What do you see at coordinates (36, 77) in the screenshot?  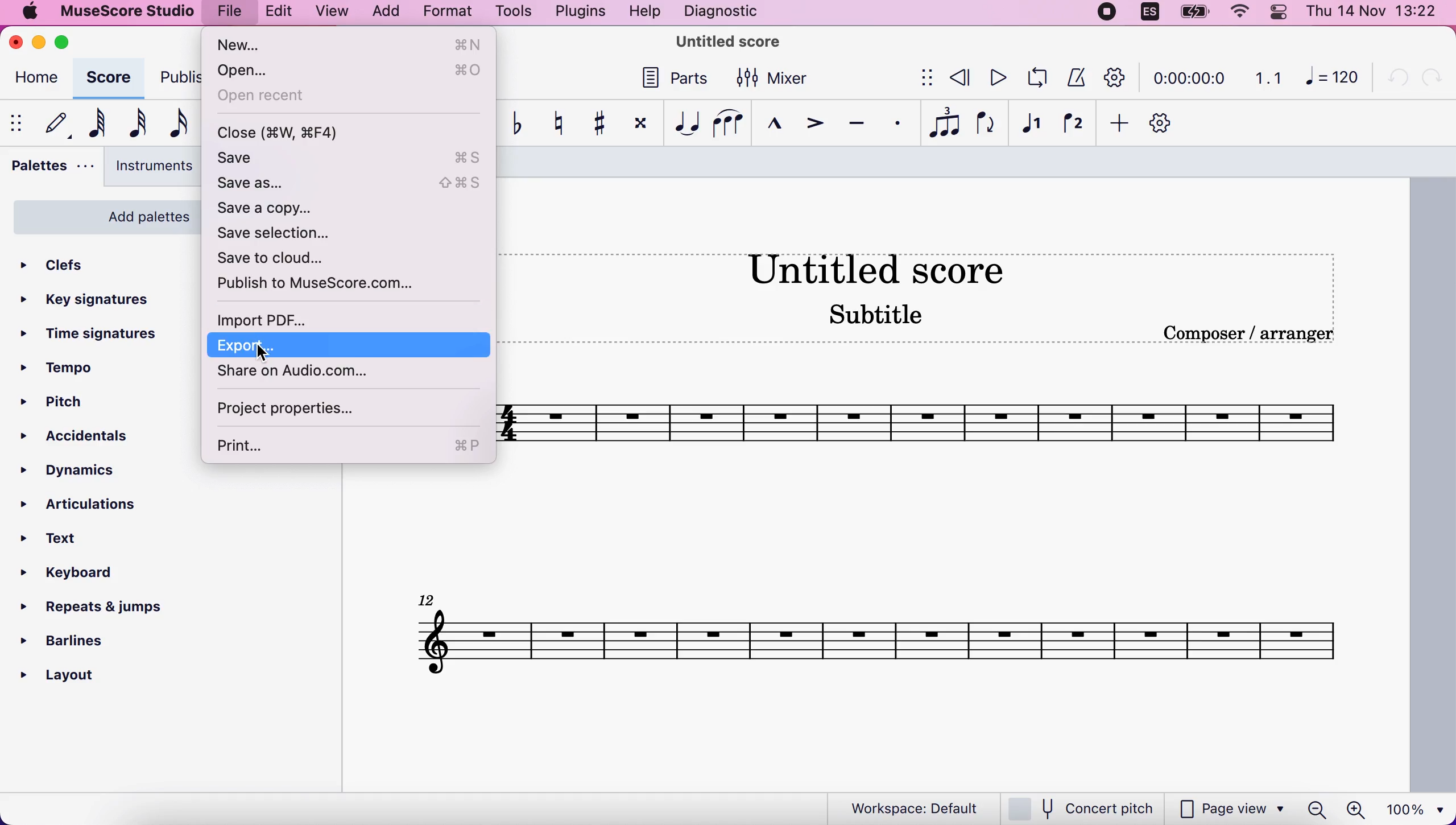 I see `home` at bounding box center [36, 77].